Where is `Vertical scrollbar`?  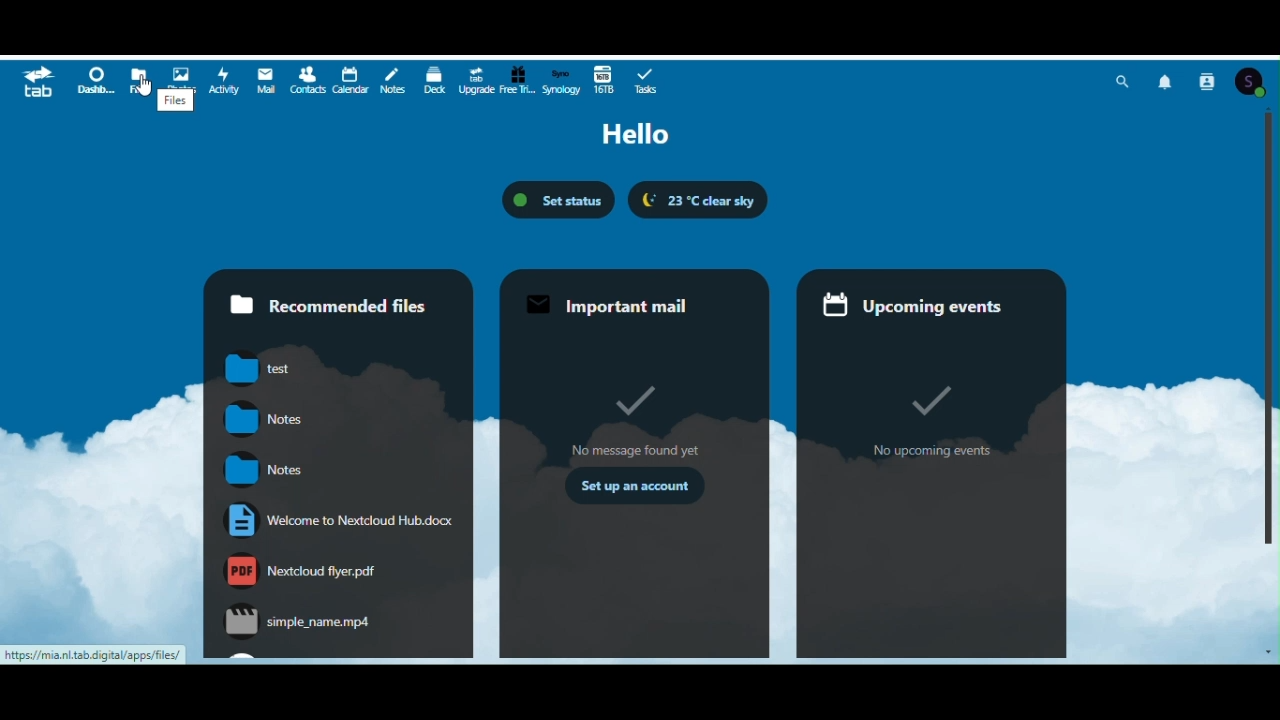
Vertical scrollbar is located at coordinates (1272, 343).